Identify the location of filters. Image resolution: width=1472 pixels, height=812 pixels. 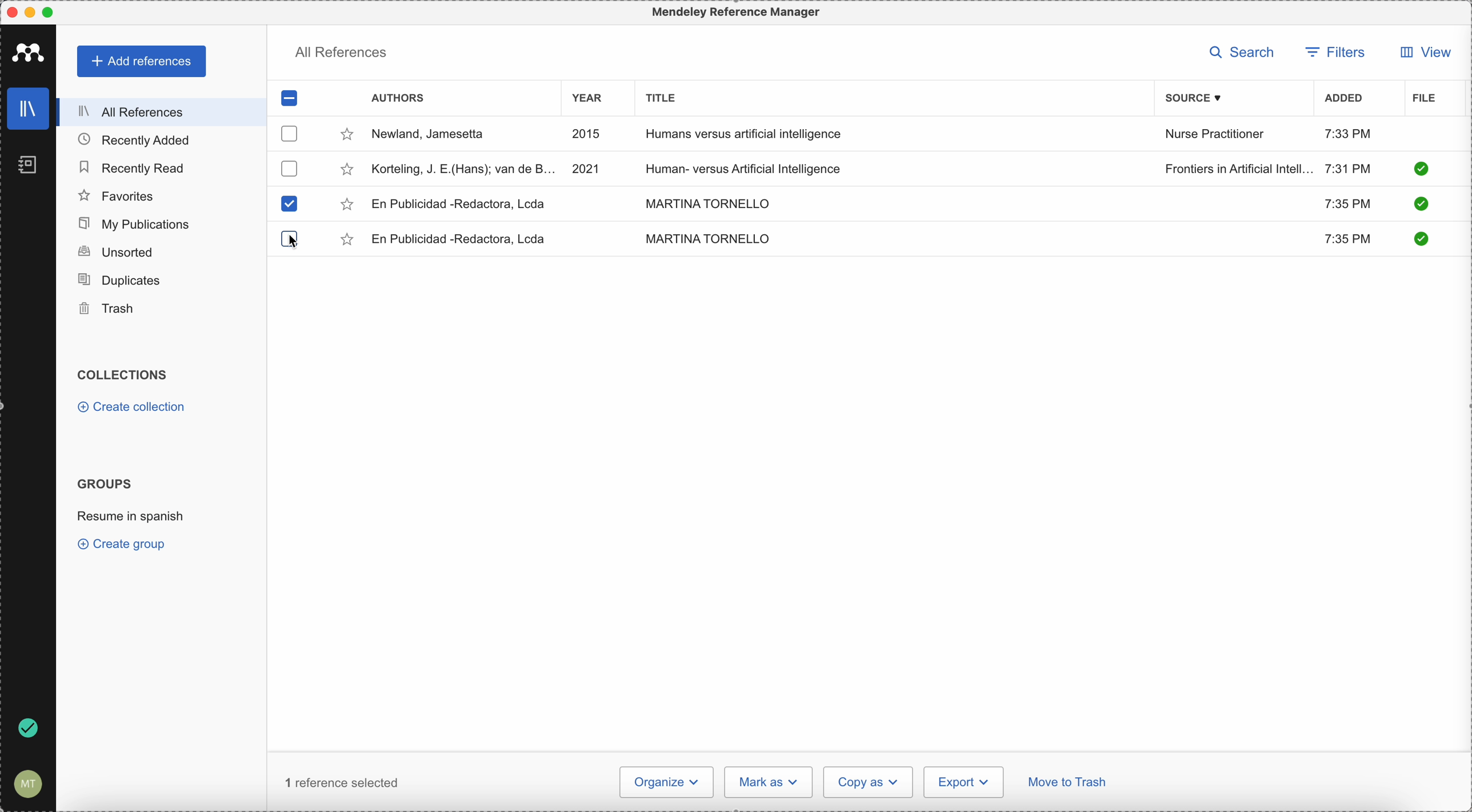
(1335, 54).